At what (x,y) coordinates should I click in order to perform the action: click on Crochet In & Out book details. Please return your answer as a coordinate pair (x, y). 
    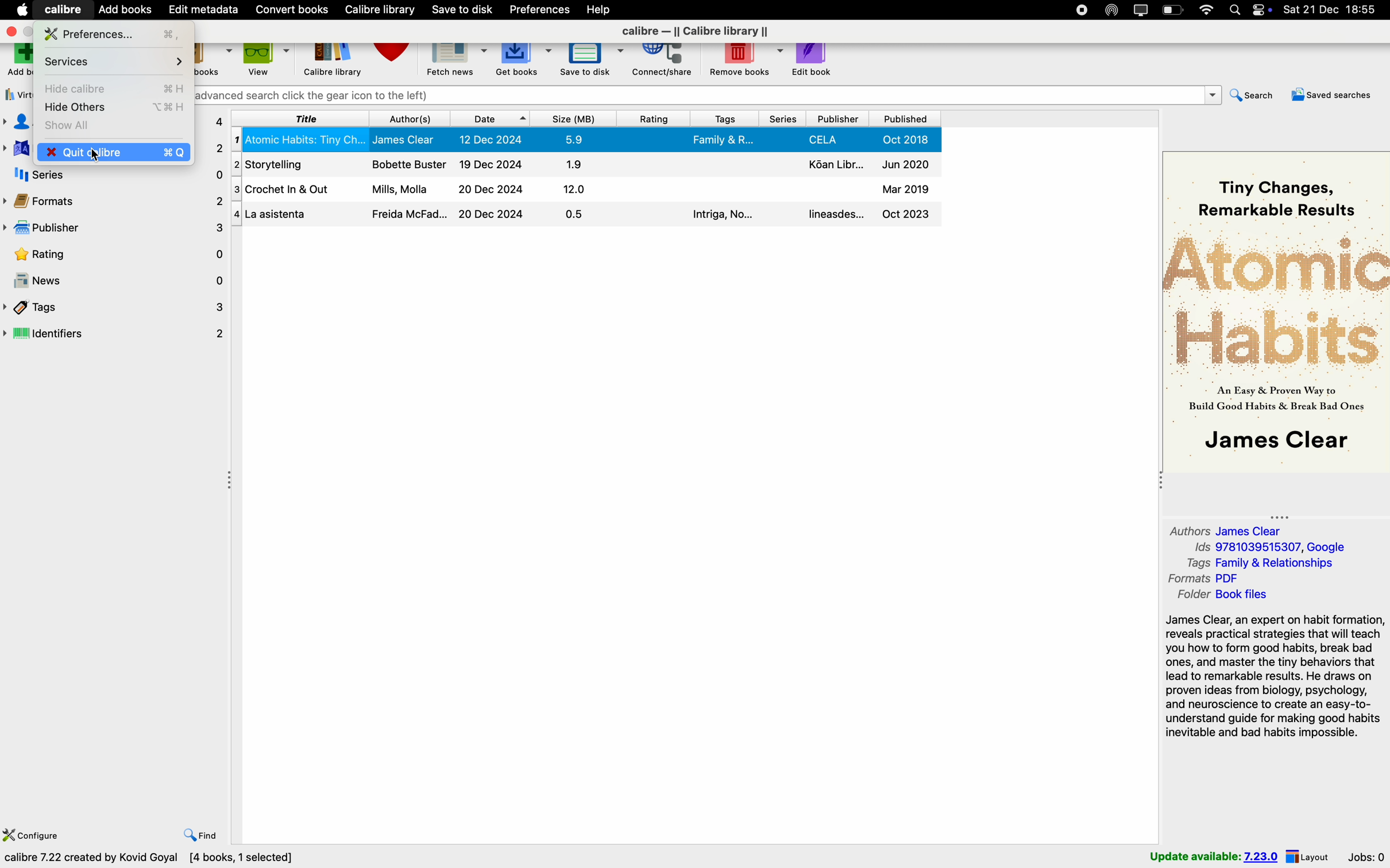
    Looking at the image, I should click on (586, 187).